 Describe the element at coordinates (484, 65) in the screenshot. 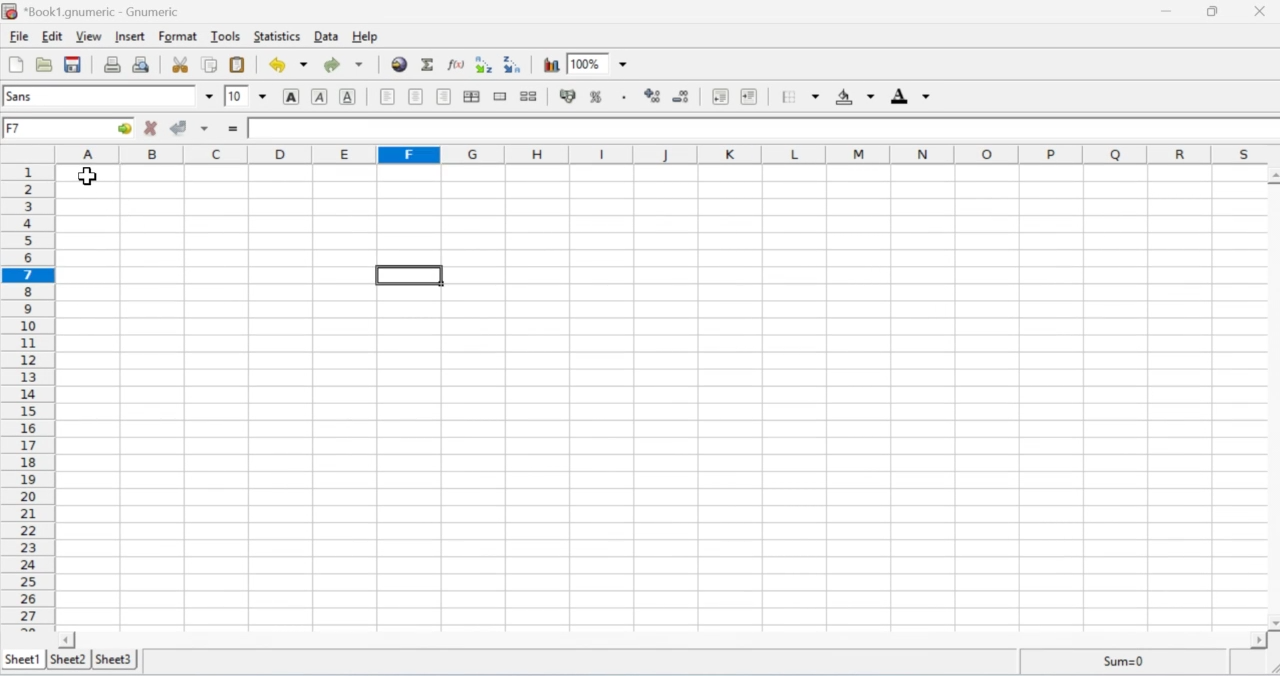

I see `Sort by ascending` at that location.